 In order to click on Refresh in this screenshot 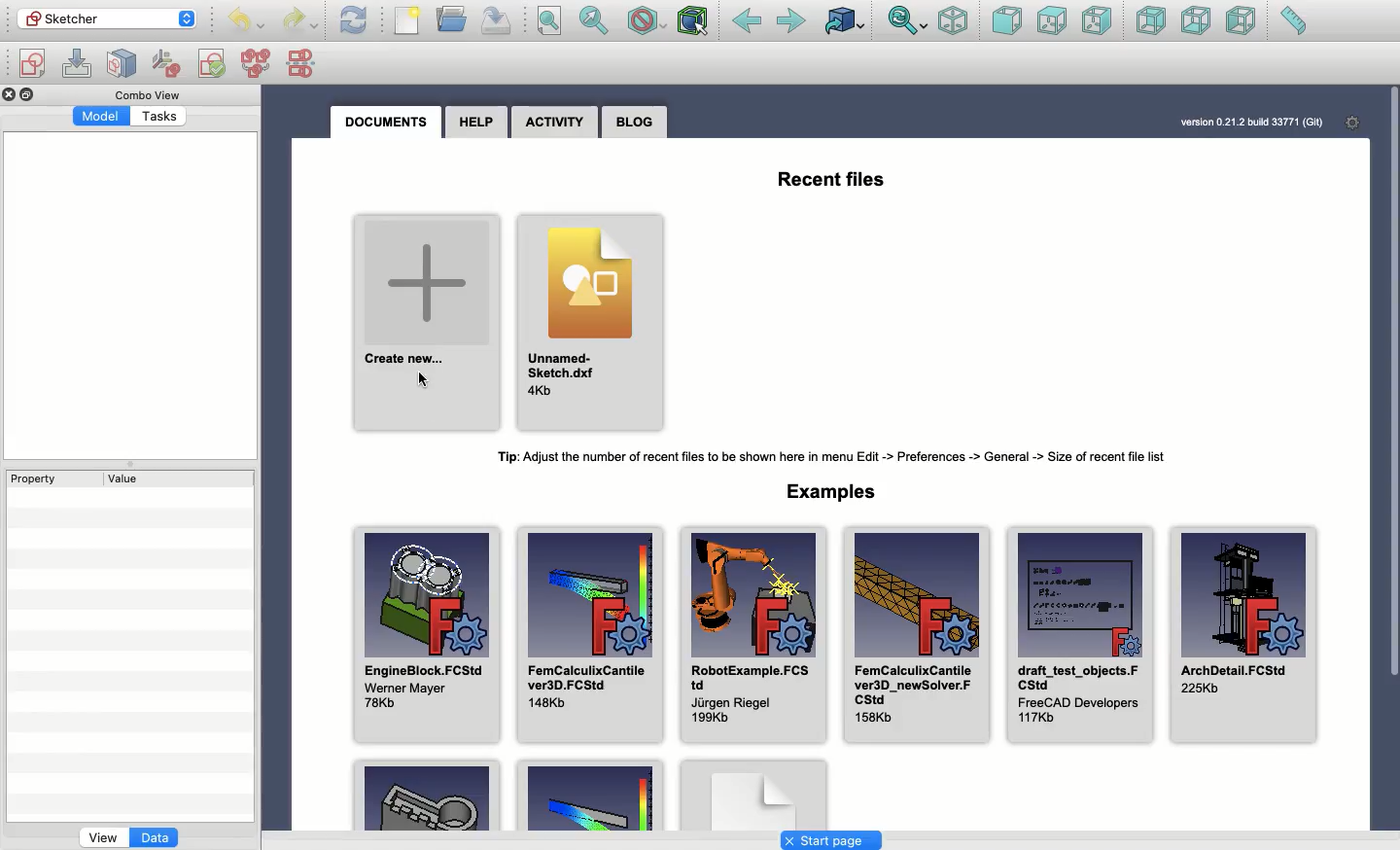, I will do `click(355, 22)`.